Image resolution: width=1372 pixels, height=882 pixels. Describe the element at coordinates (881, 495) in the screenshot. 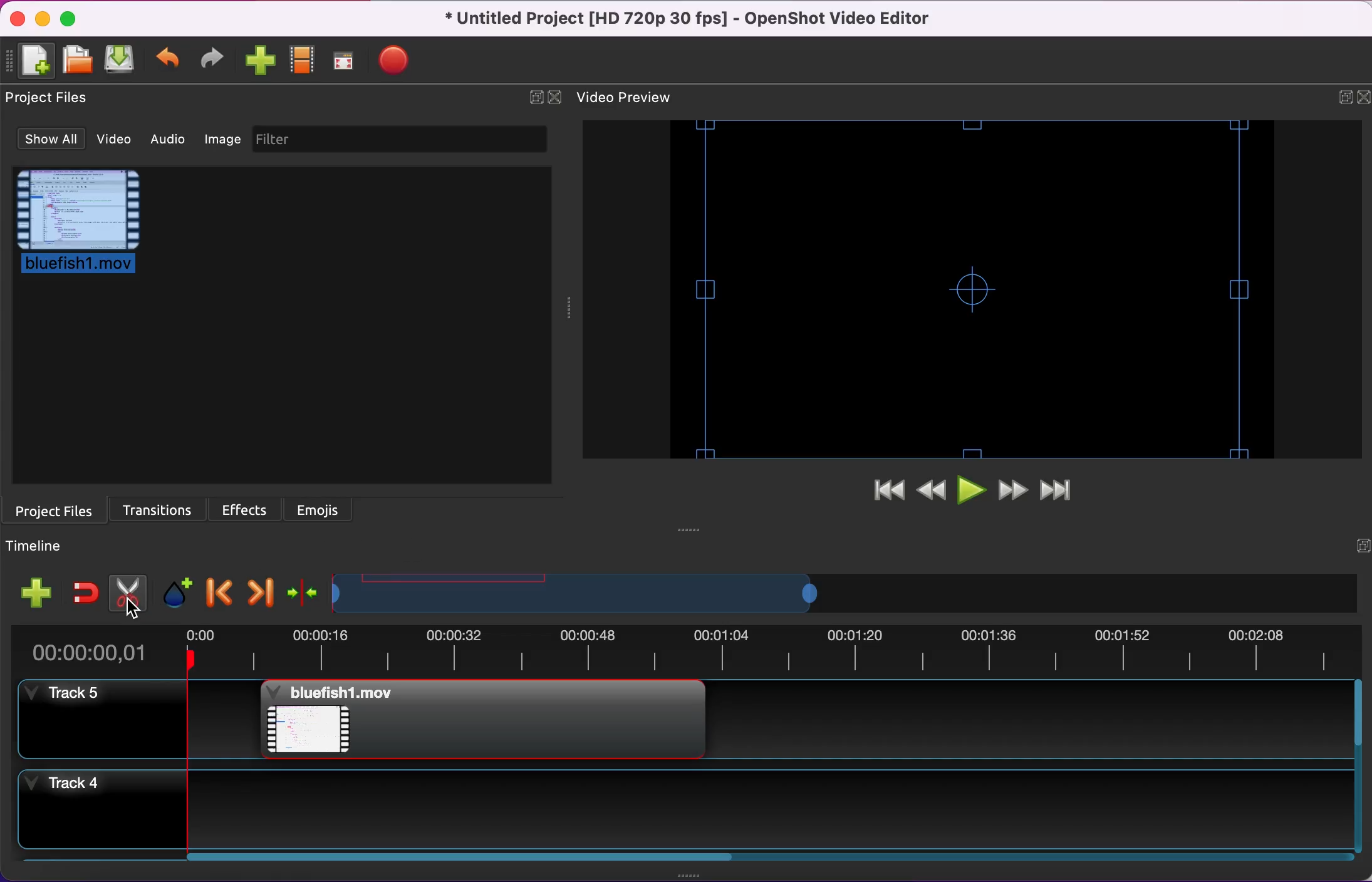

I see `jump to start` at that location.